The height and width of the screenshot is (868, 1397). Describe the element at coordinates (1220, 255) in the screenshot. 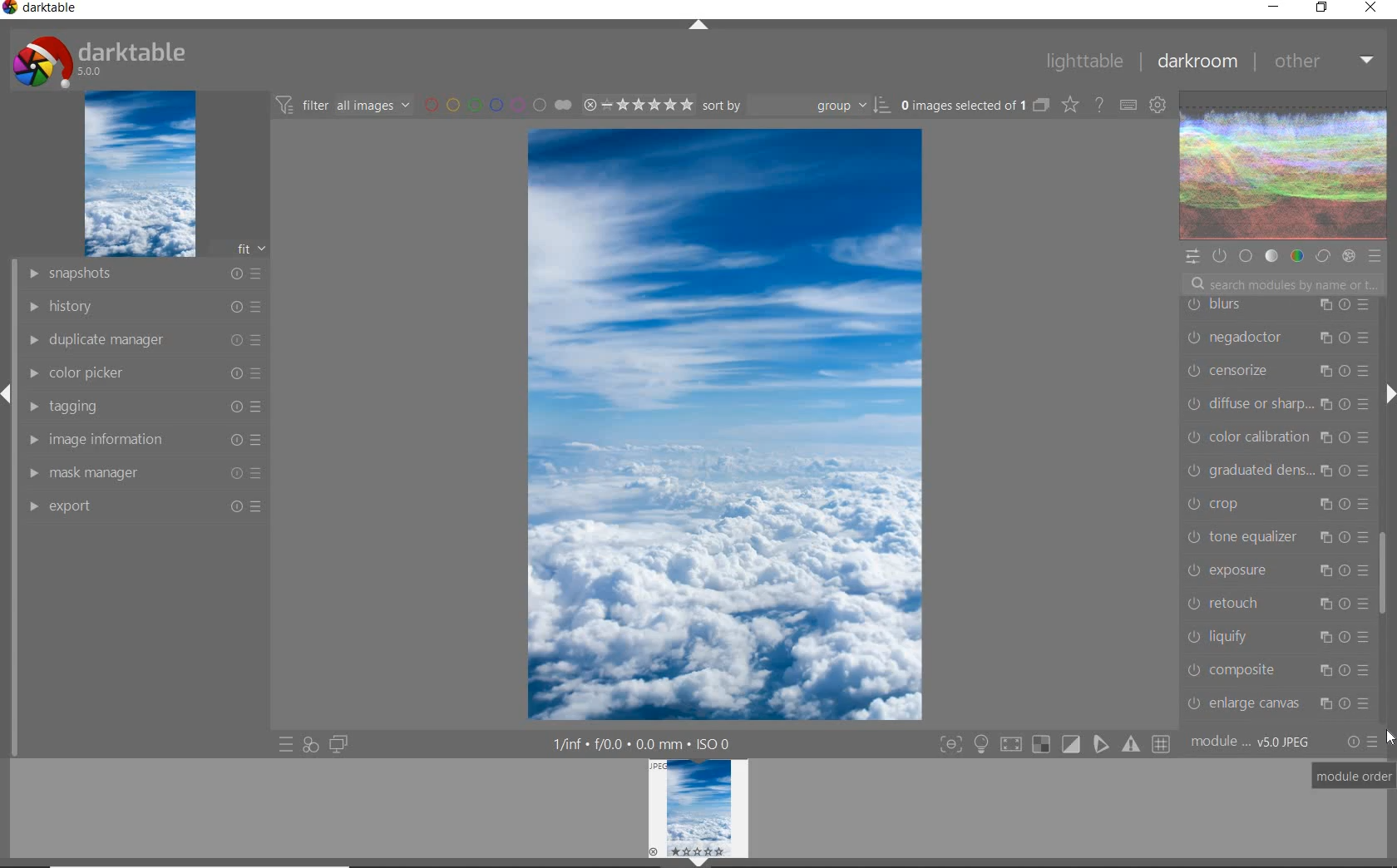

I see `SHOW ONLY ACTIVE MODULES` at that location.